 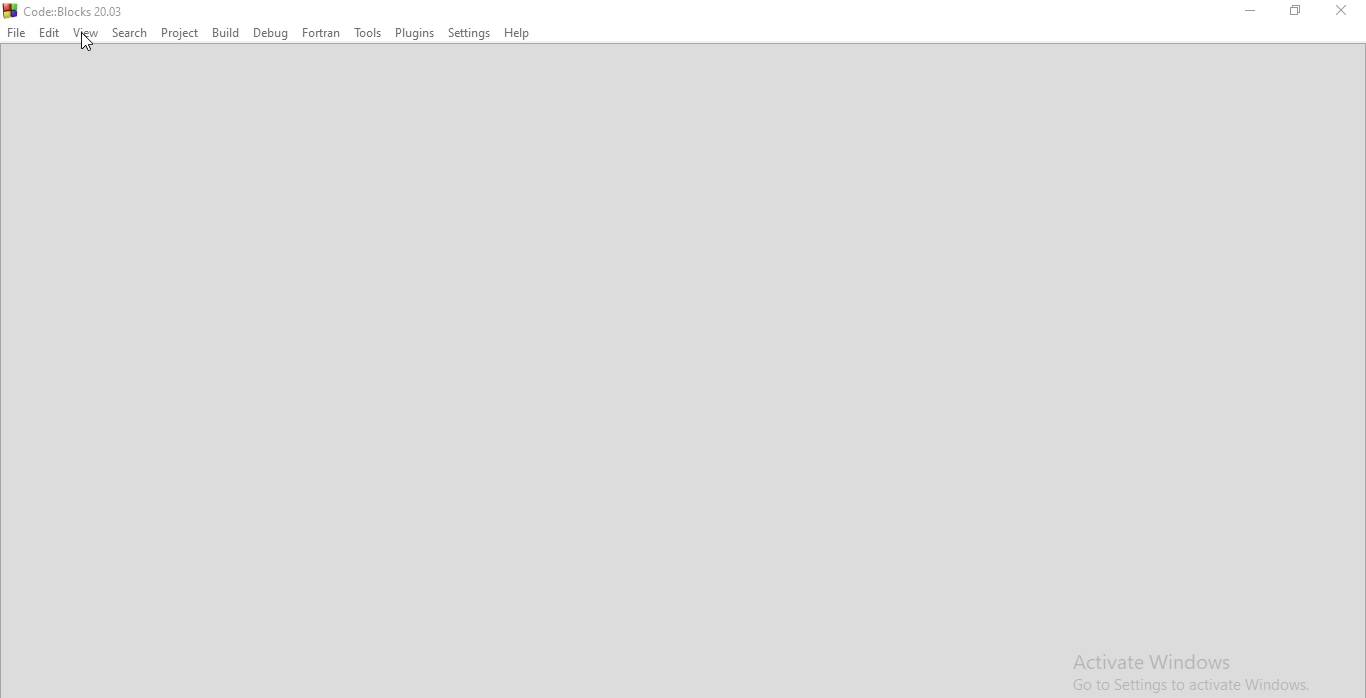 I want to click on Search , so click(x=130, y=32).